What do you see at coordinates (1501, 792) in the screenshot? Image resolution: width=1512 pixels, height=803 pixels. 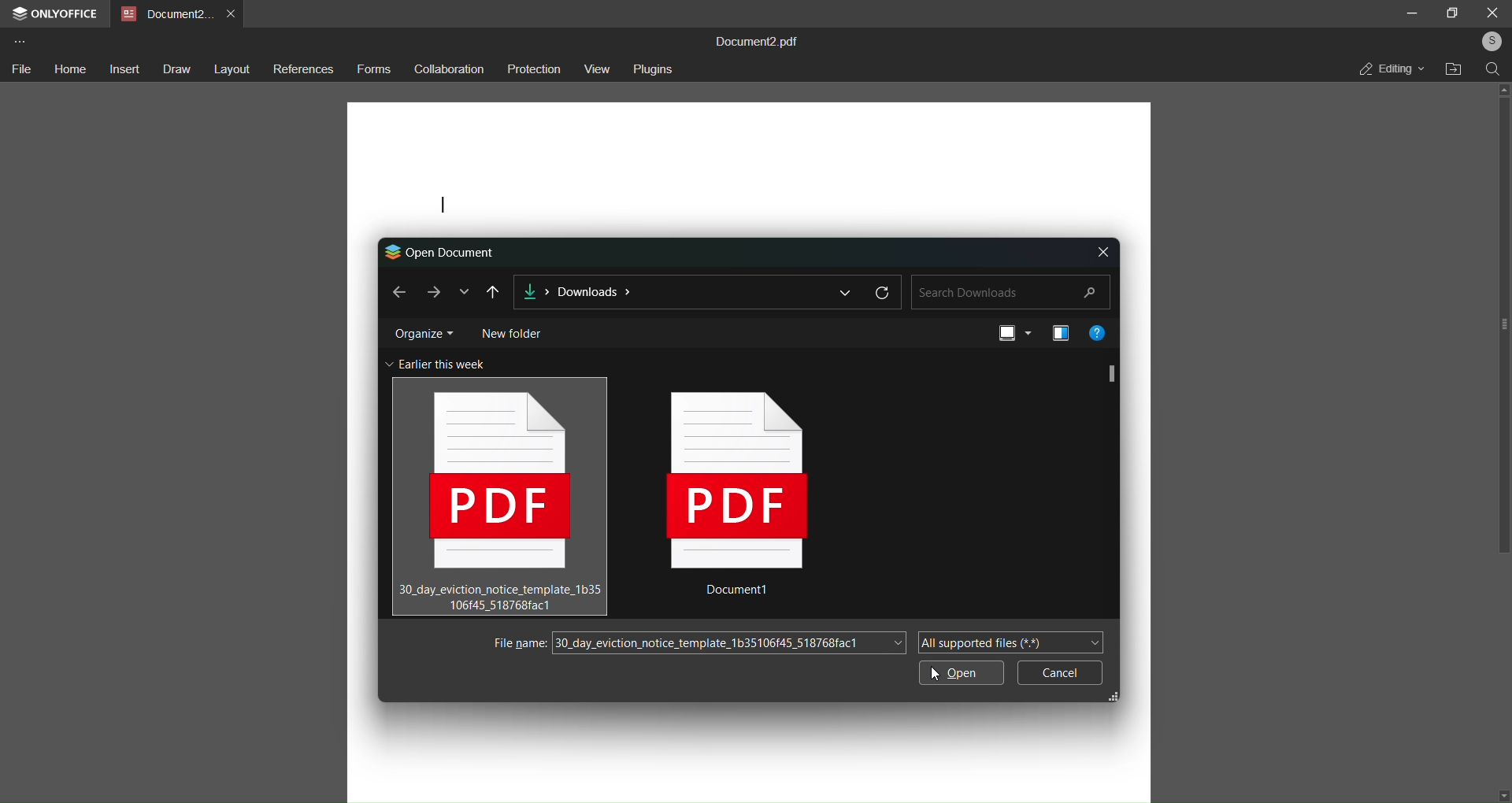 I see `down` at bounding box center [1501, 792].